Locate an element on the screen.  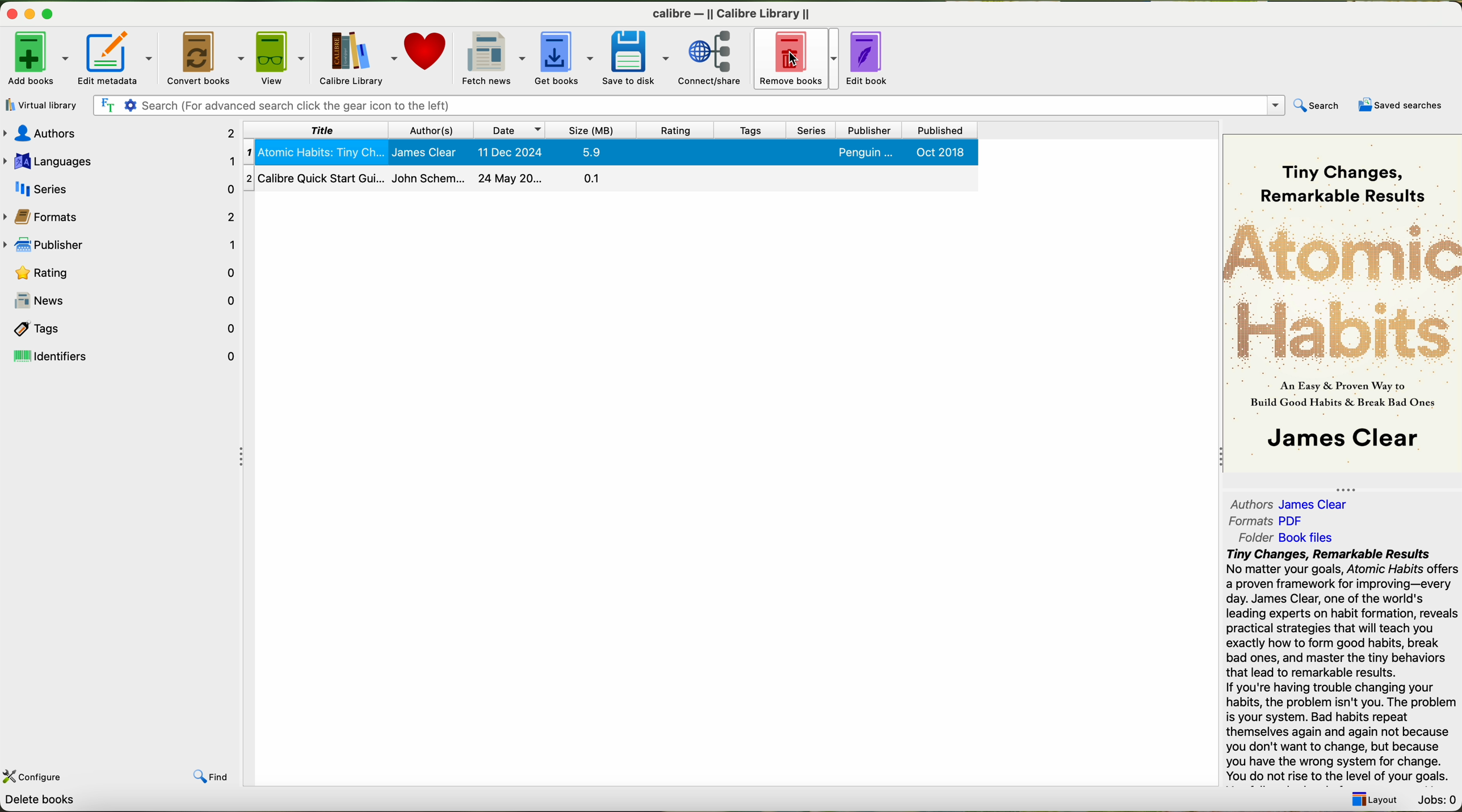
languages is located at coordinates (119, 161).